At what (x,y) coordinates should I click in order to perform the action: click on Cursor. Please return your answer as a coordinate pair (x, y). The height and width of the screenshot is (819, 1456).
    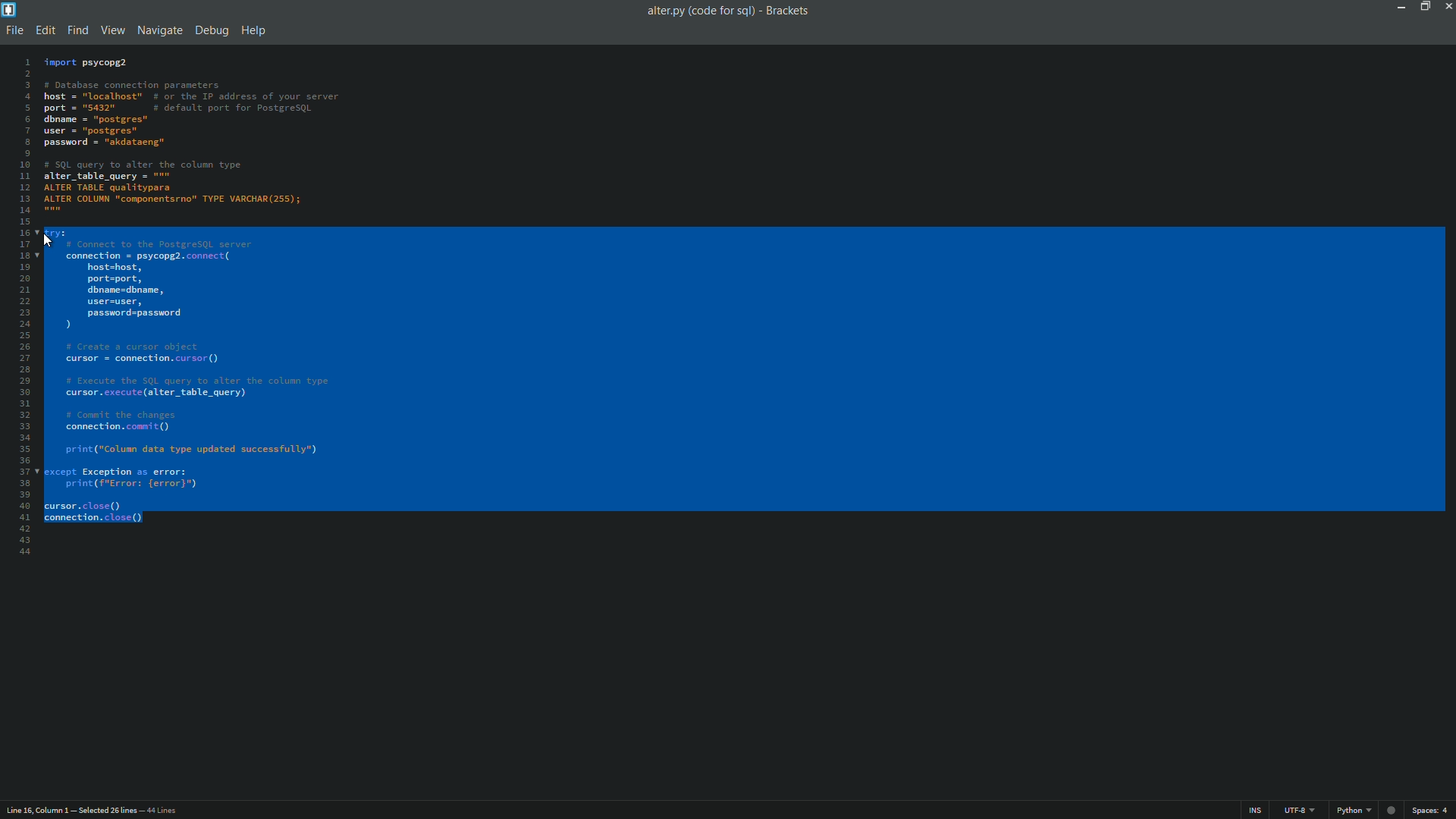
    Looking at the image, I should click on (53, 242).